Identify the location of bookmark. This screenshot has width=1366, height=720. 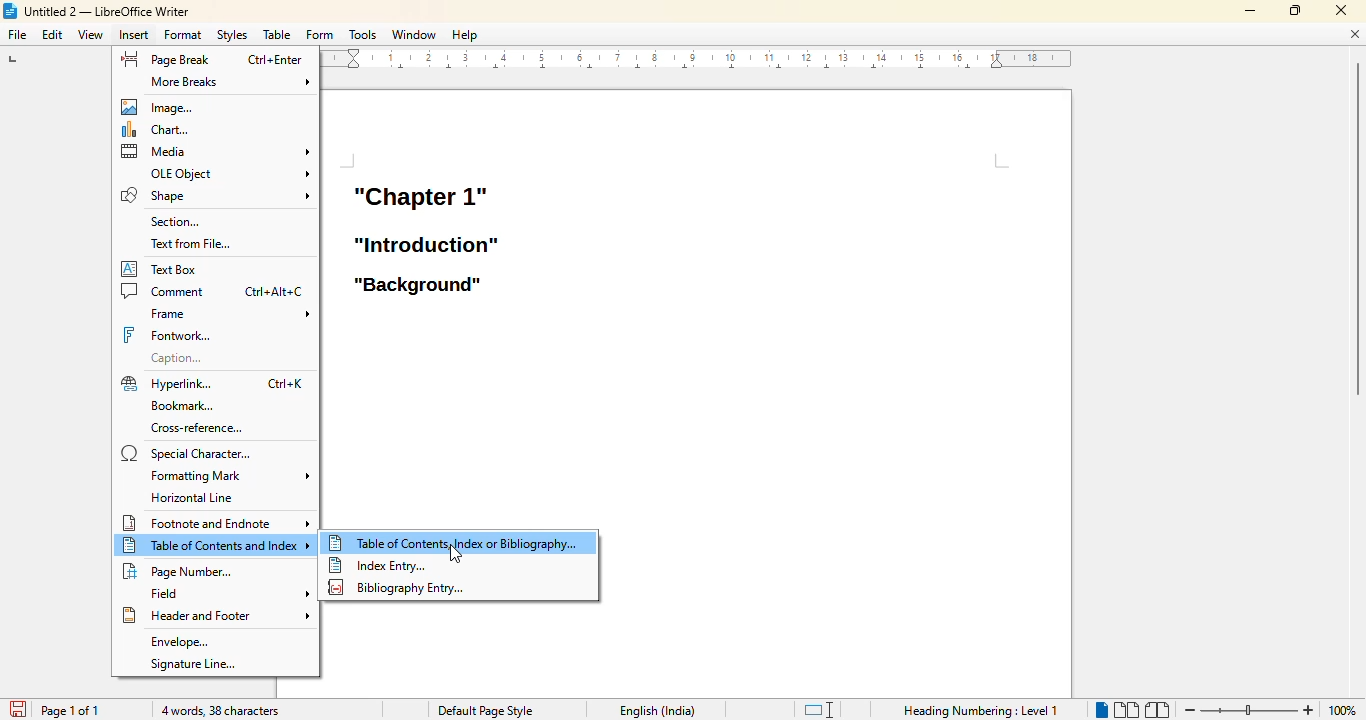
(182, 406).